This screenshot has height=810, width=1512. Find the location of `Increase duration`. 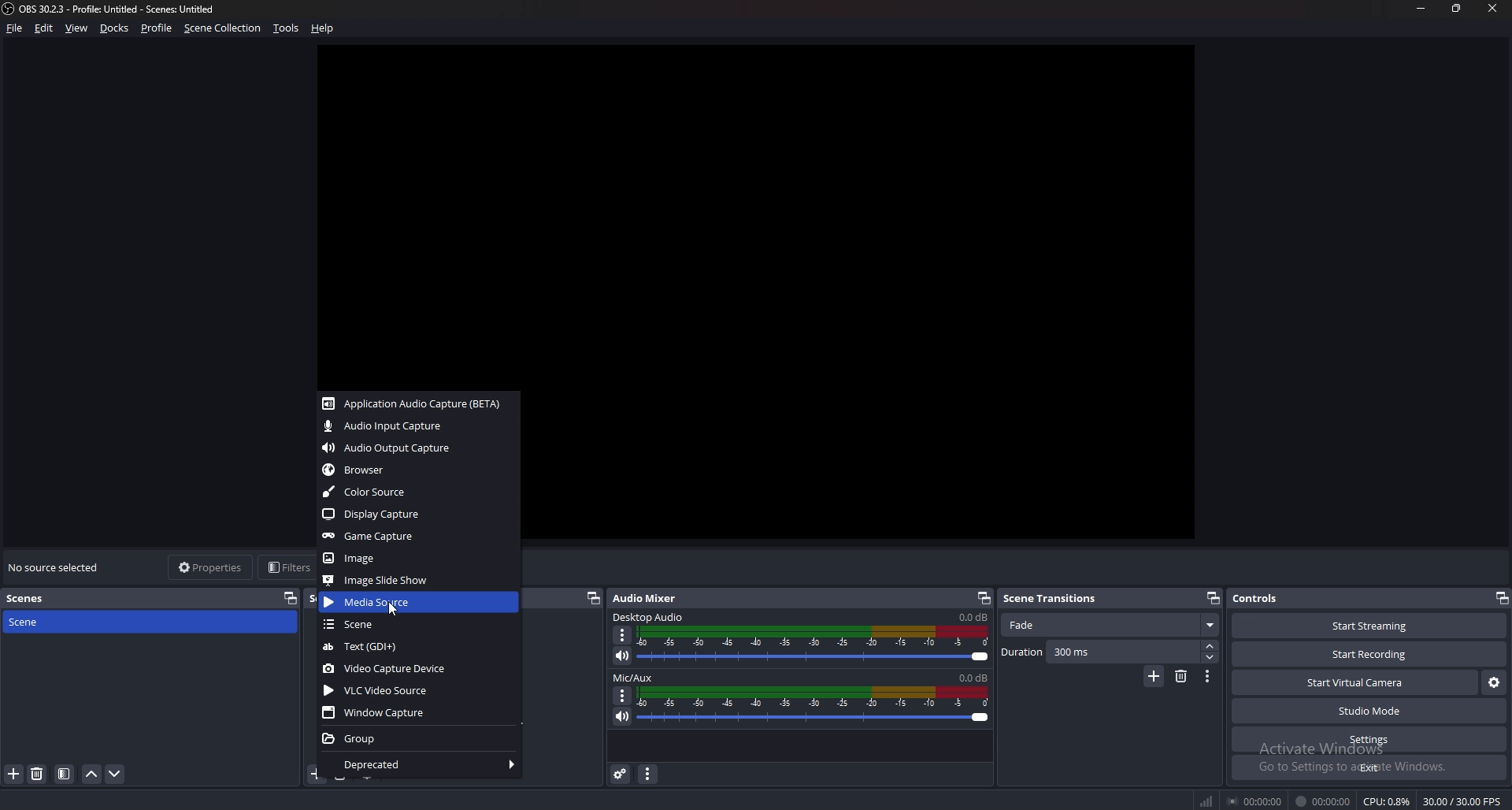

Increase duration is located at coordinates (1212, 646).